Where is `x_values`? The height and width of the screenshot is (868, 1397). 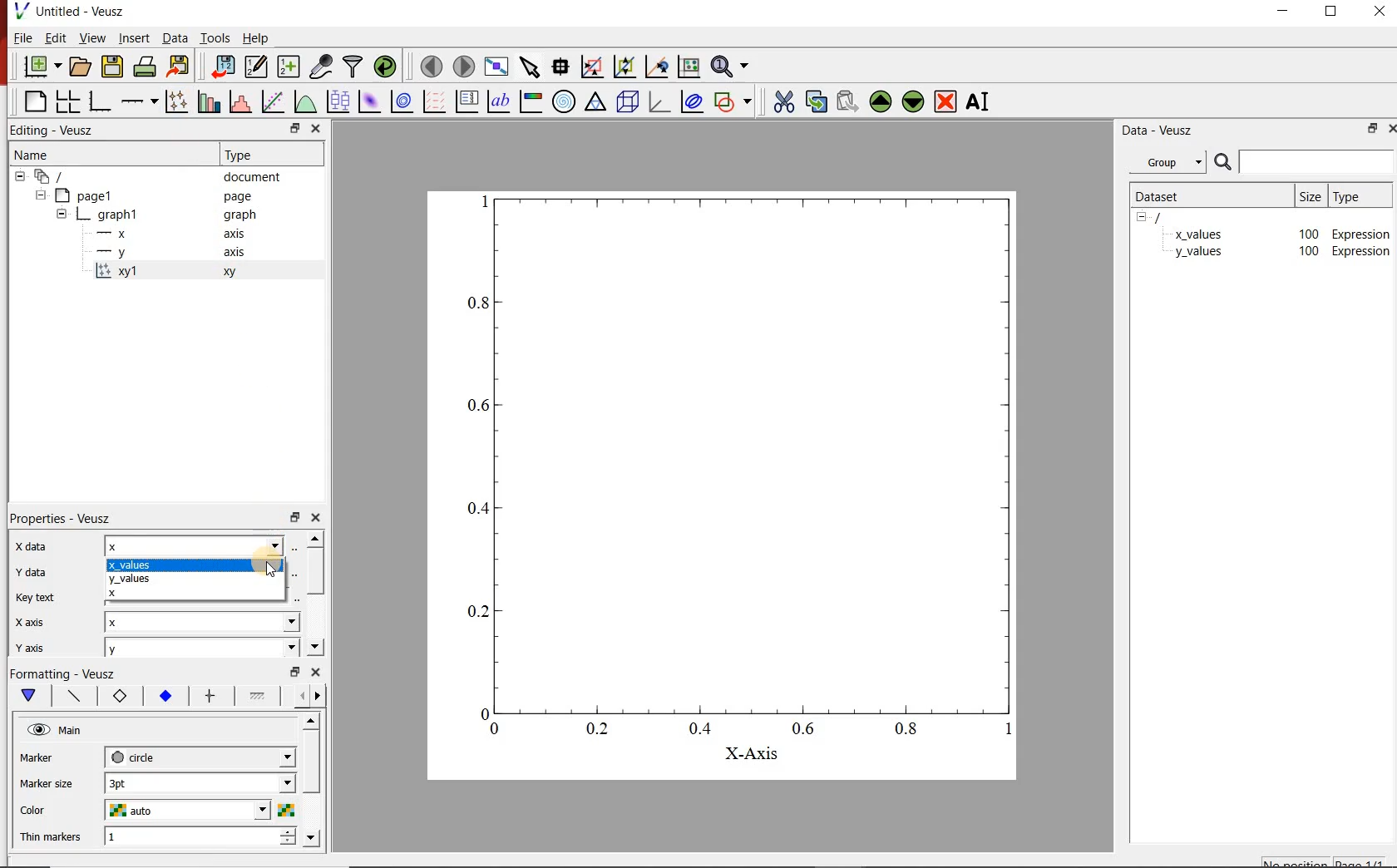
x_values is located at coordinates (1198, 233).